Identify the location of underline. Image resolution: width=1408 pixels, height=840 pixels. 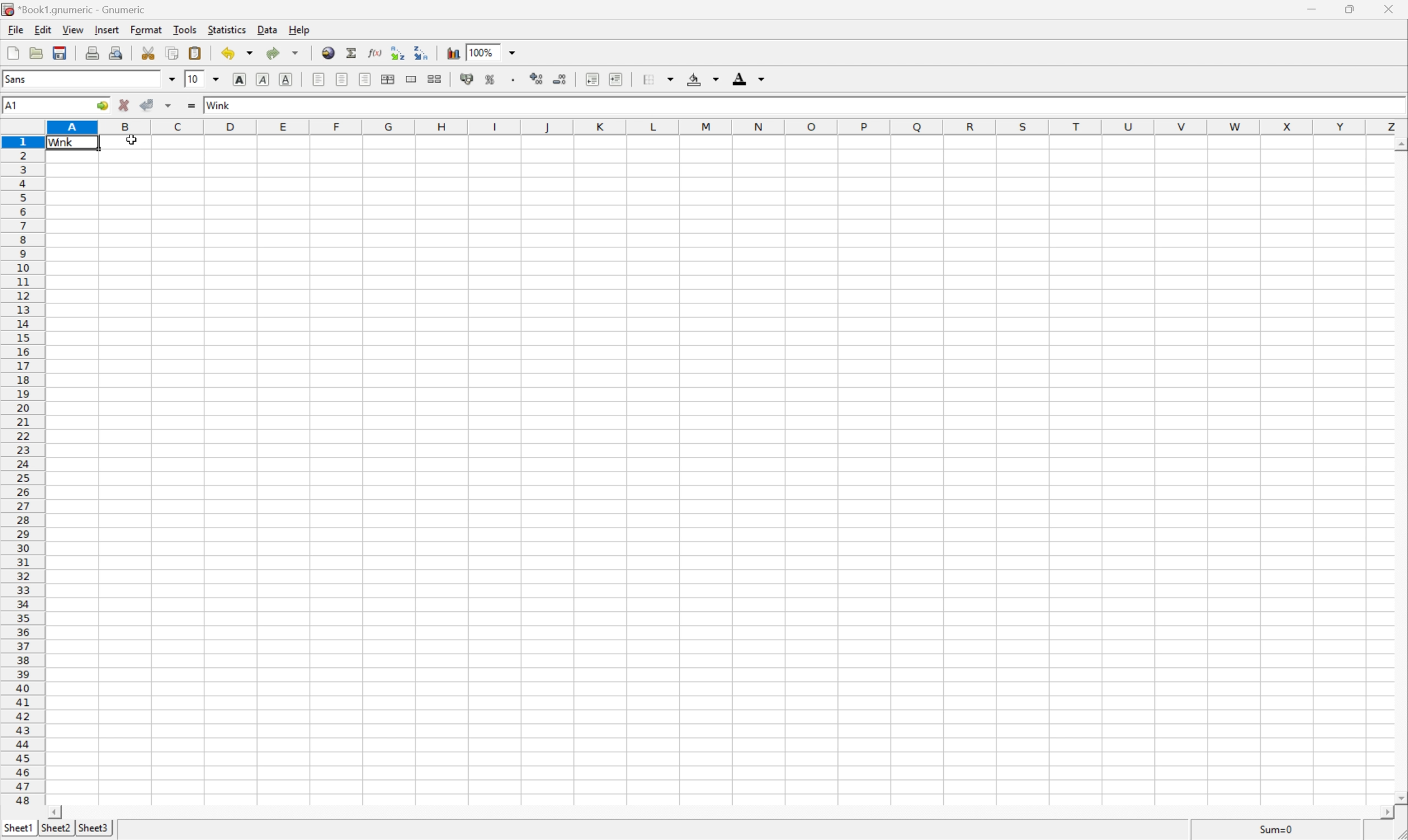
(286, 78).